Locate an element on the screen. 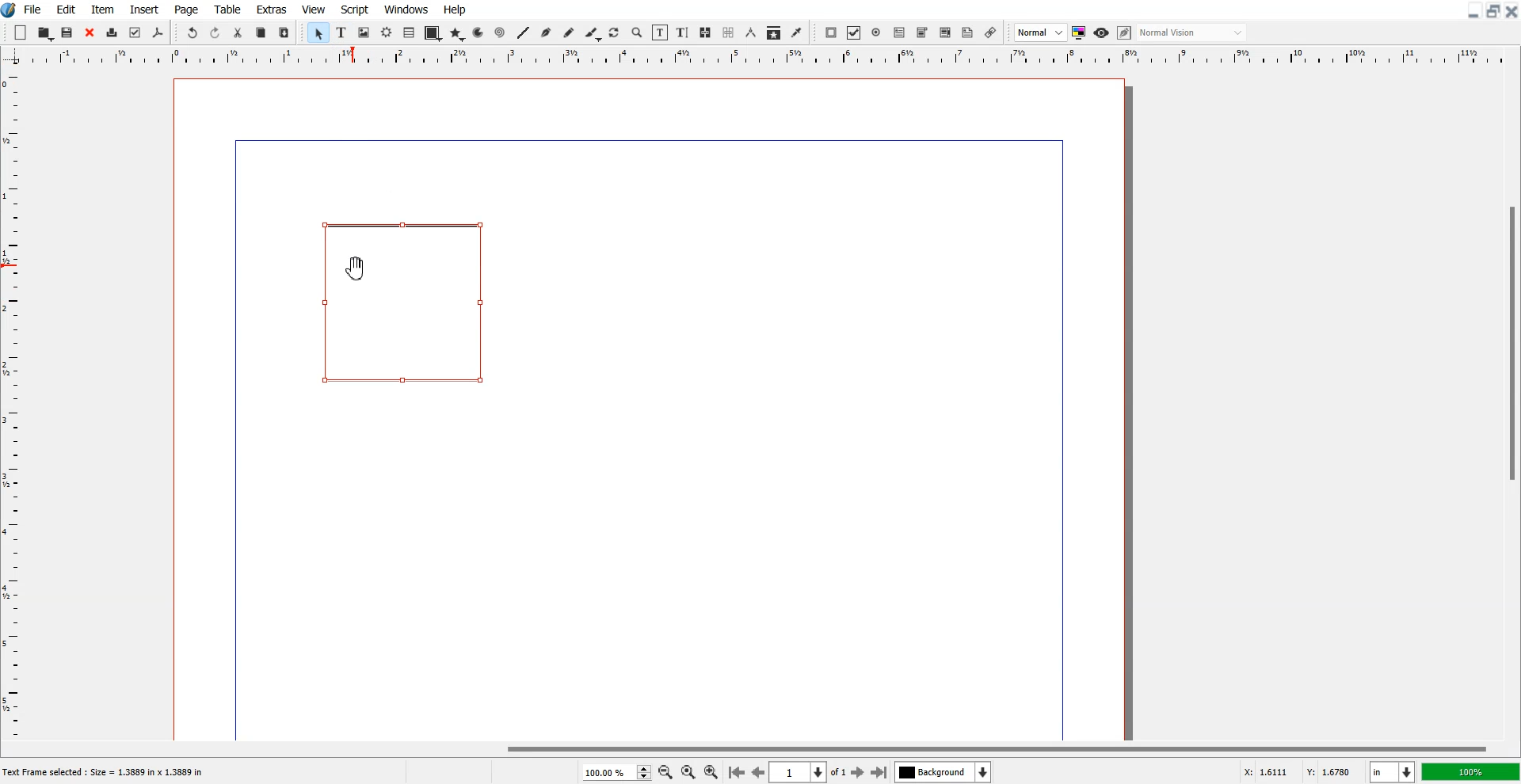  Arc is located at coordinates (479, 32).